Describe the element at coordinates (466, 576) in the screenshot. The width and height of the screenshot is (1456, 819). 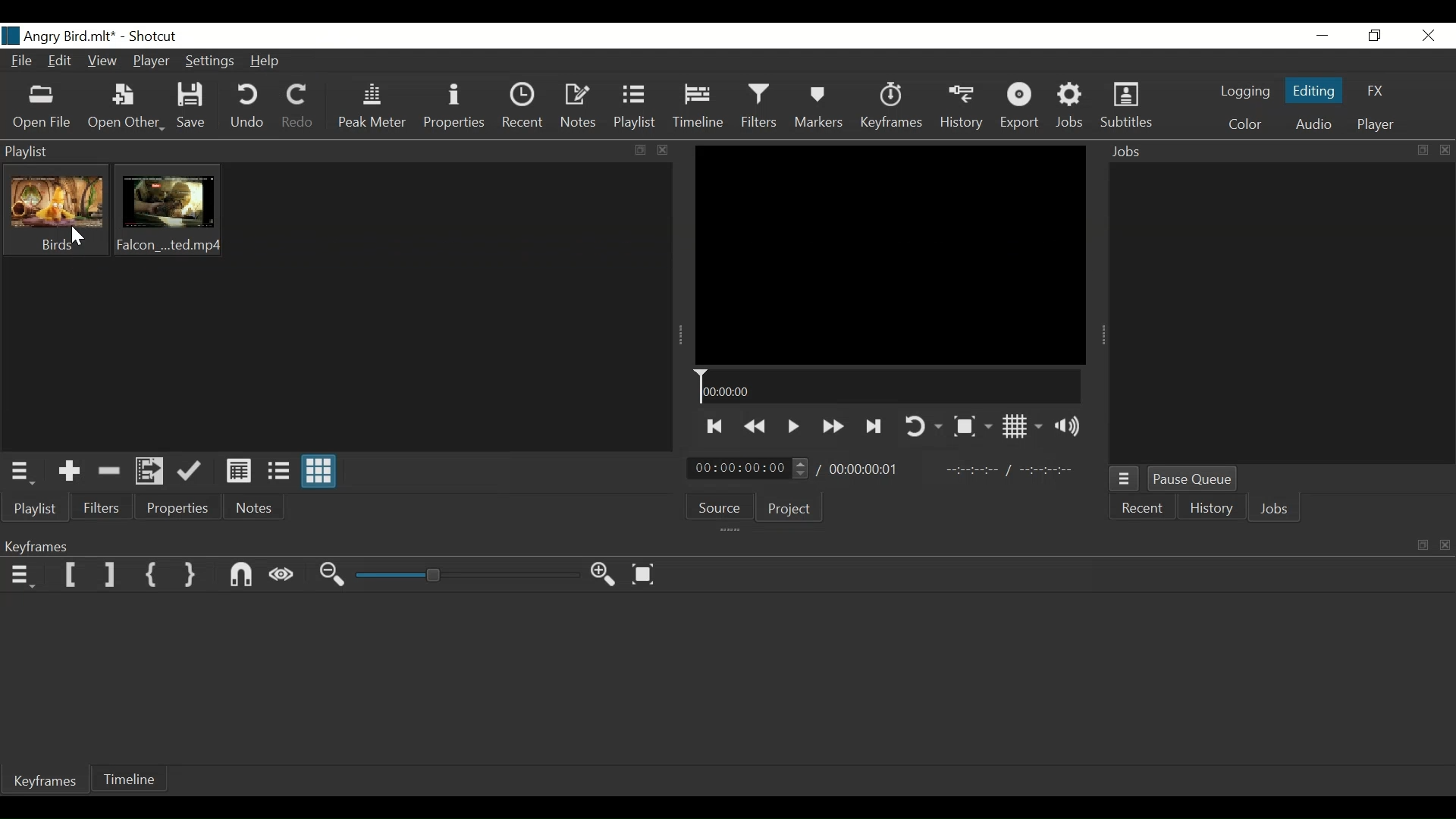
I see `Zoom slider` at that location.